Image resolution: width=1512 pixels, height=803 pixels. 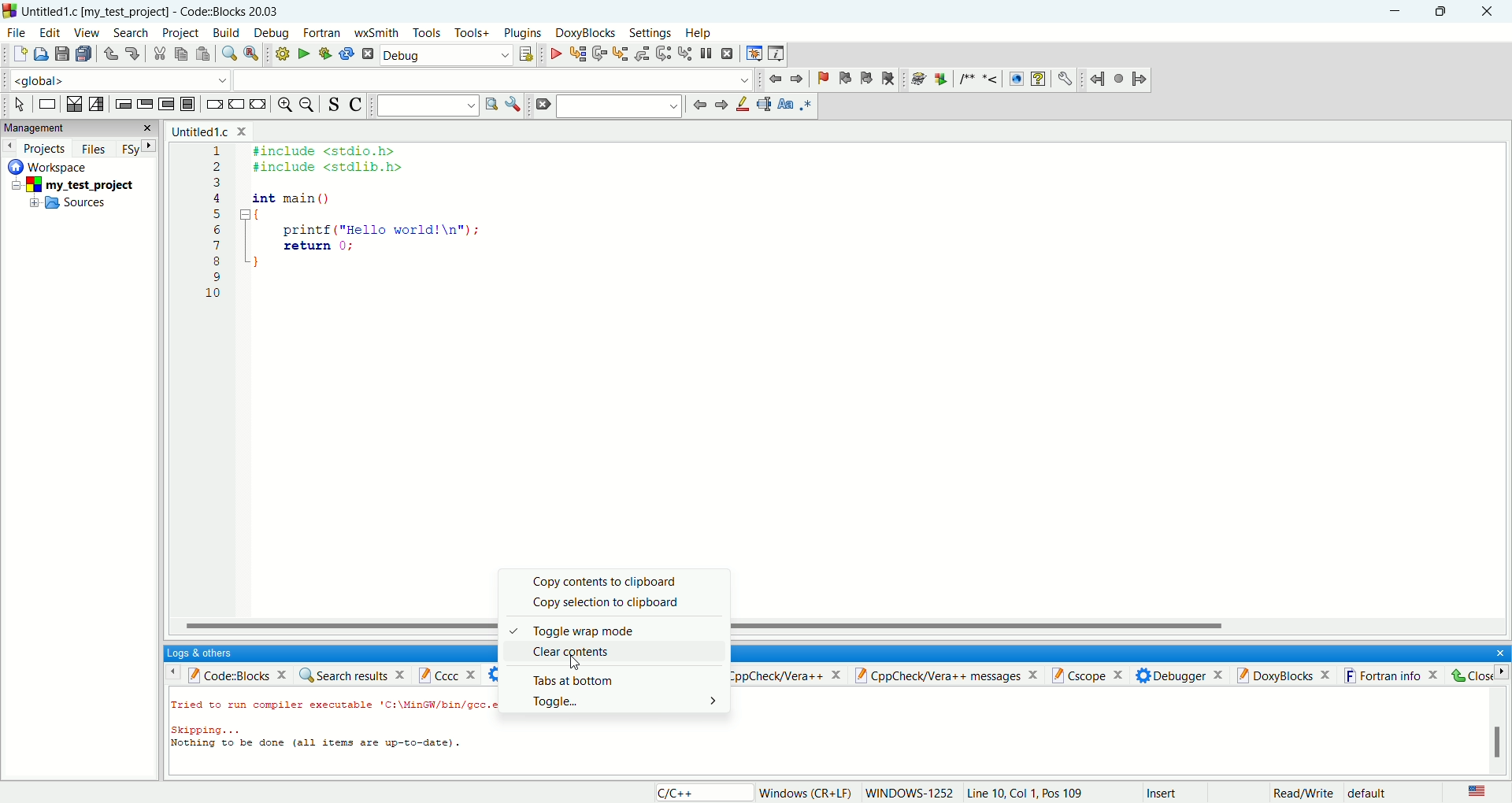 I want to click on location, so click(x=180, y=793).